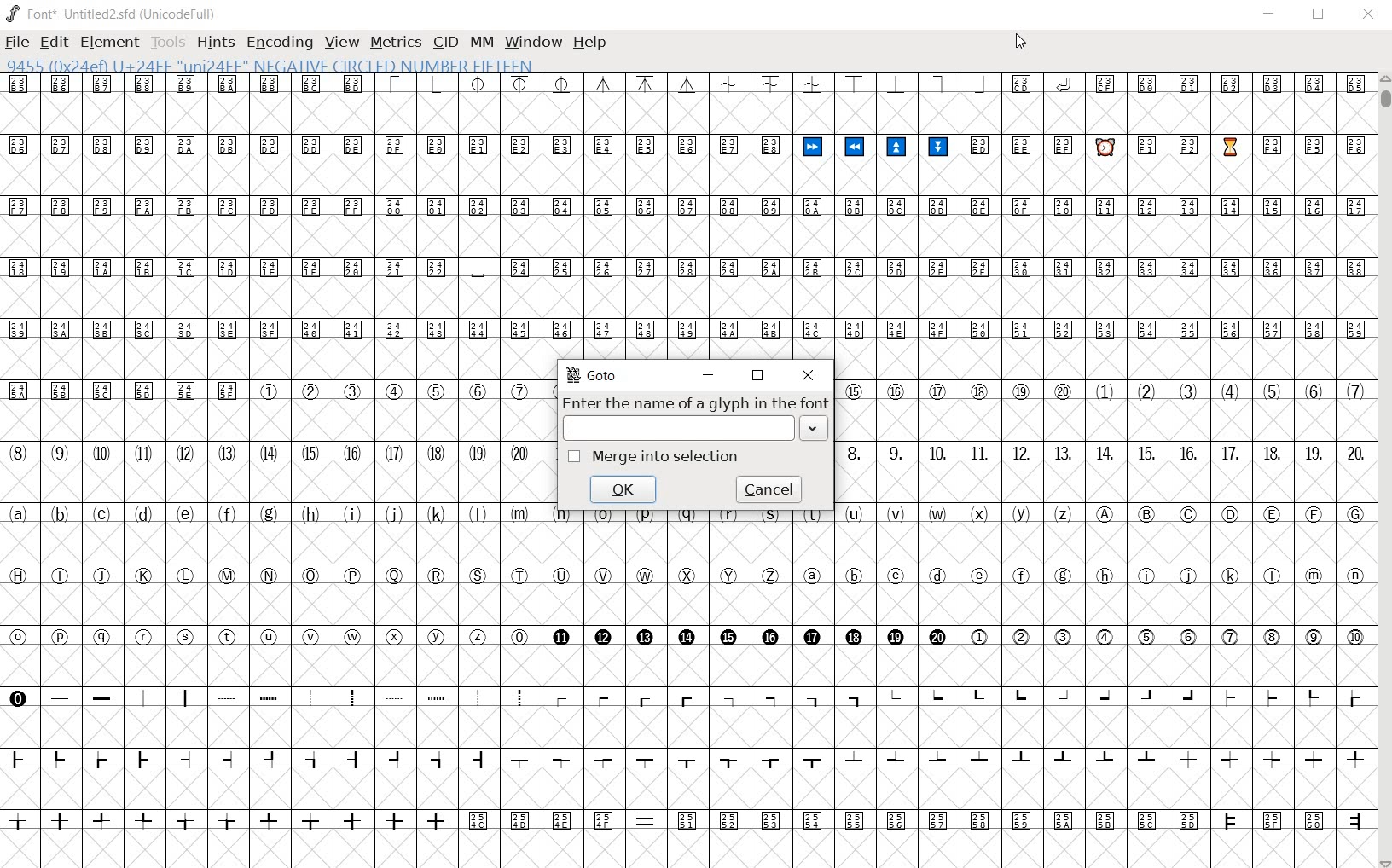 This screenshot has height=868, width=1392. Describe the element at coordinates (114, 12) in the screenshot. I see `FONT*UNTITLED2.SFD (UNICODEFULL)` at that location.